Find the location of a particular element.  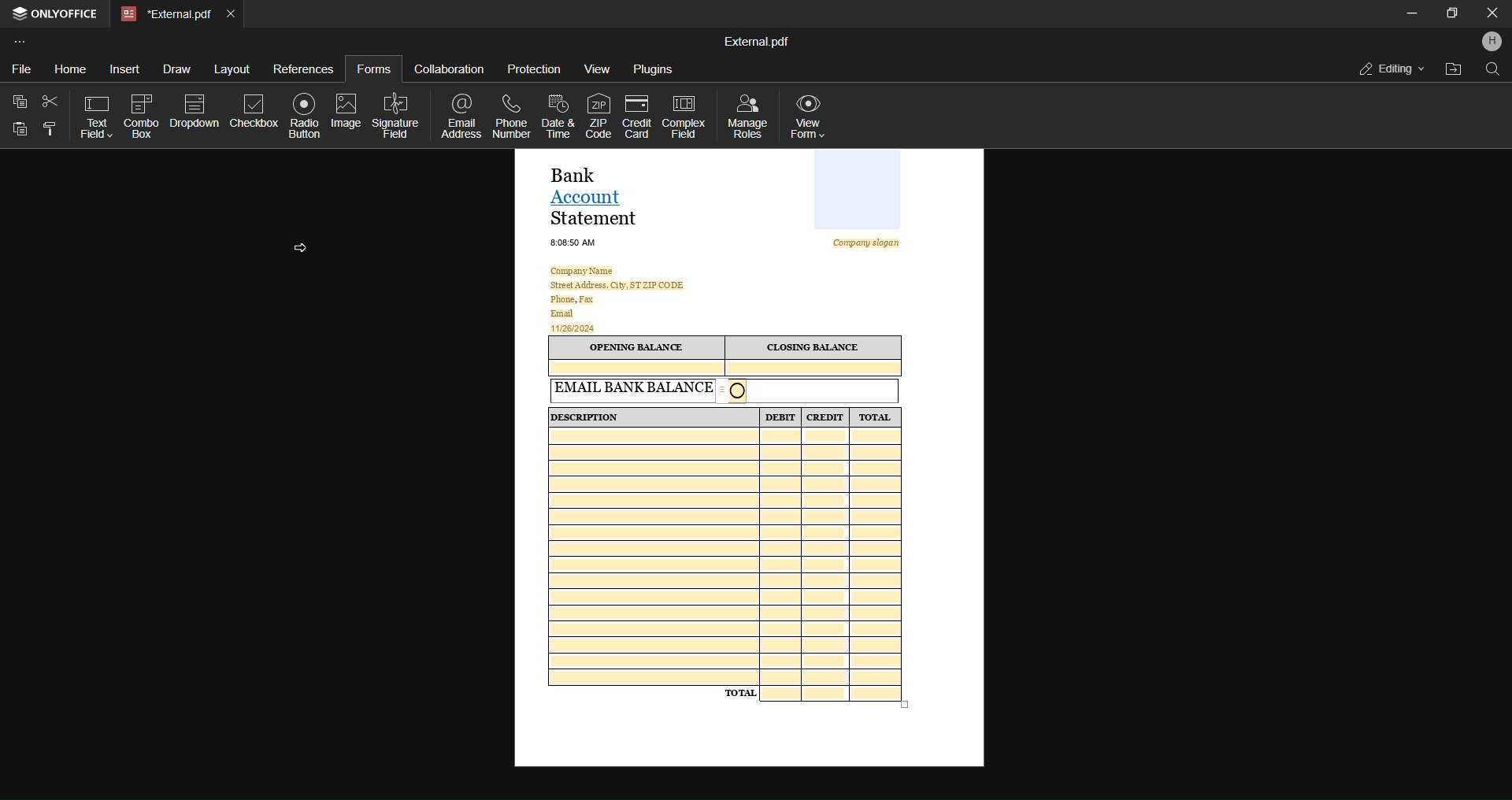

manage roles is located at coordinates (746, 116).